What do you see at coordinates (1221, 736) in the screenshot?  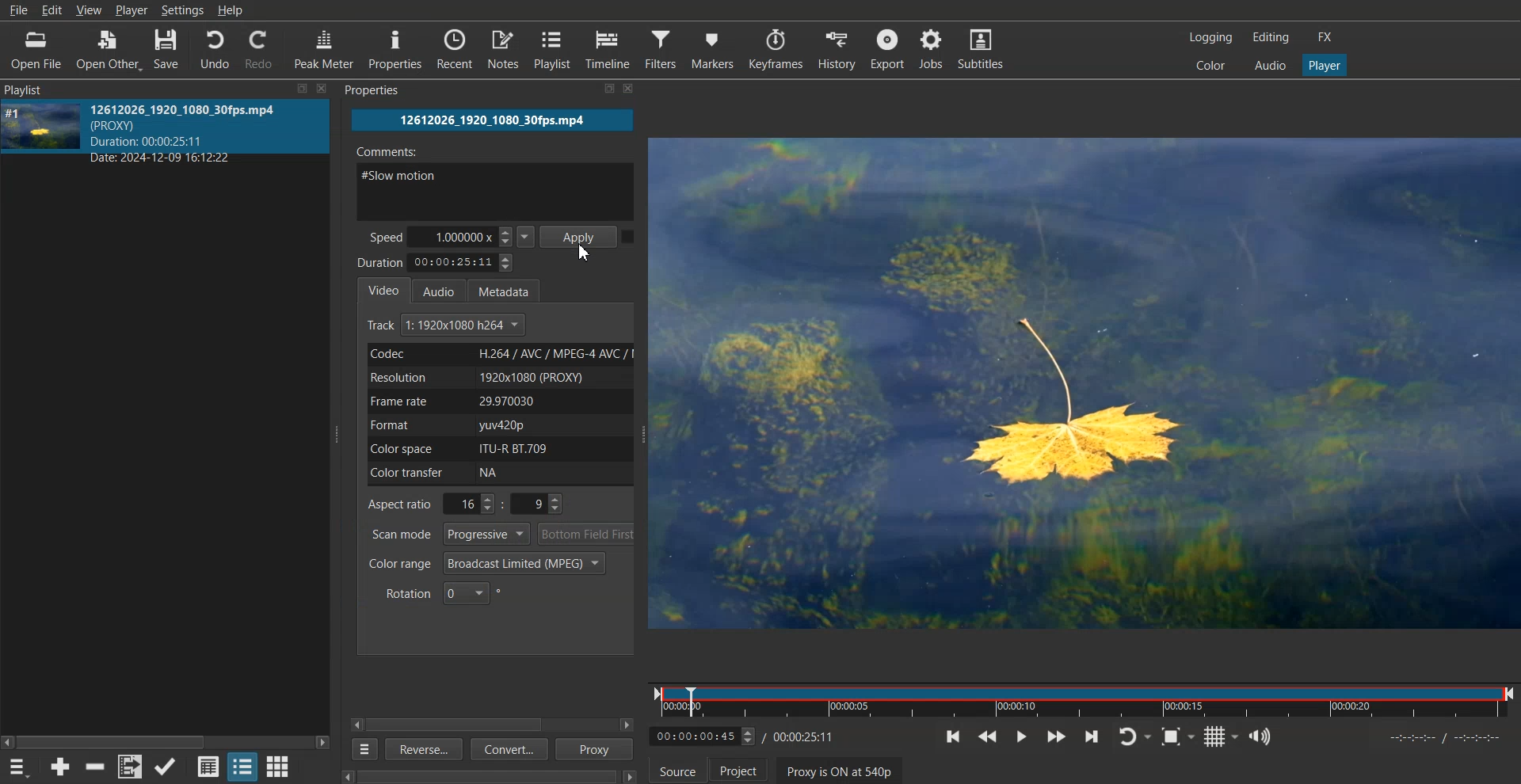 I see `Toggle grid display on the player` at bounding box center [1221, 736].